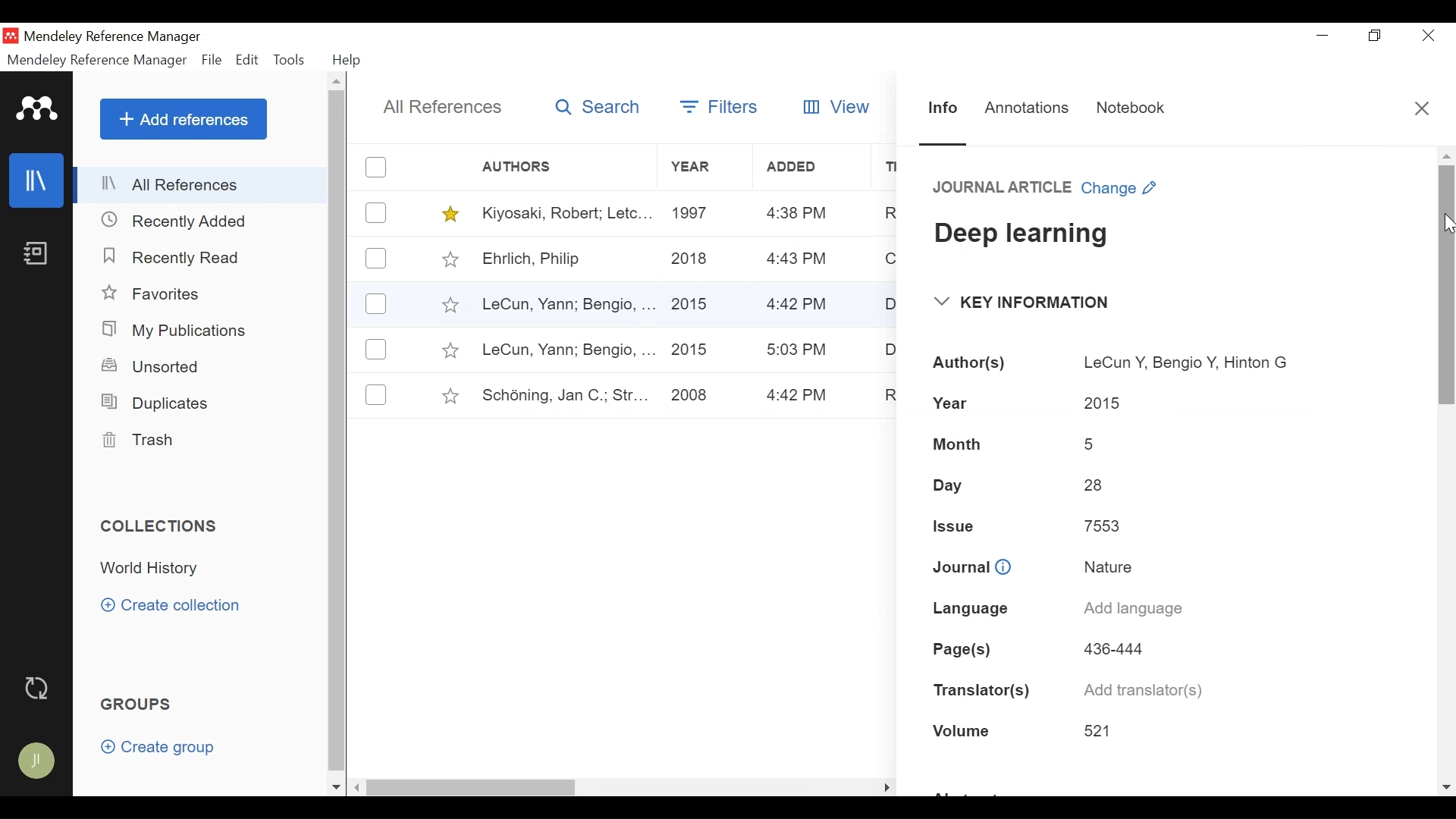 Image resolution: width=1456 pixels, height=819 pixels. What do you see at coordinates (38, 762) in the screenshot?
I see `Avatar` at bounding box center [38, 762].